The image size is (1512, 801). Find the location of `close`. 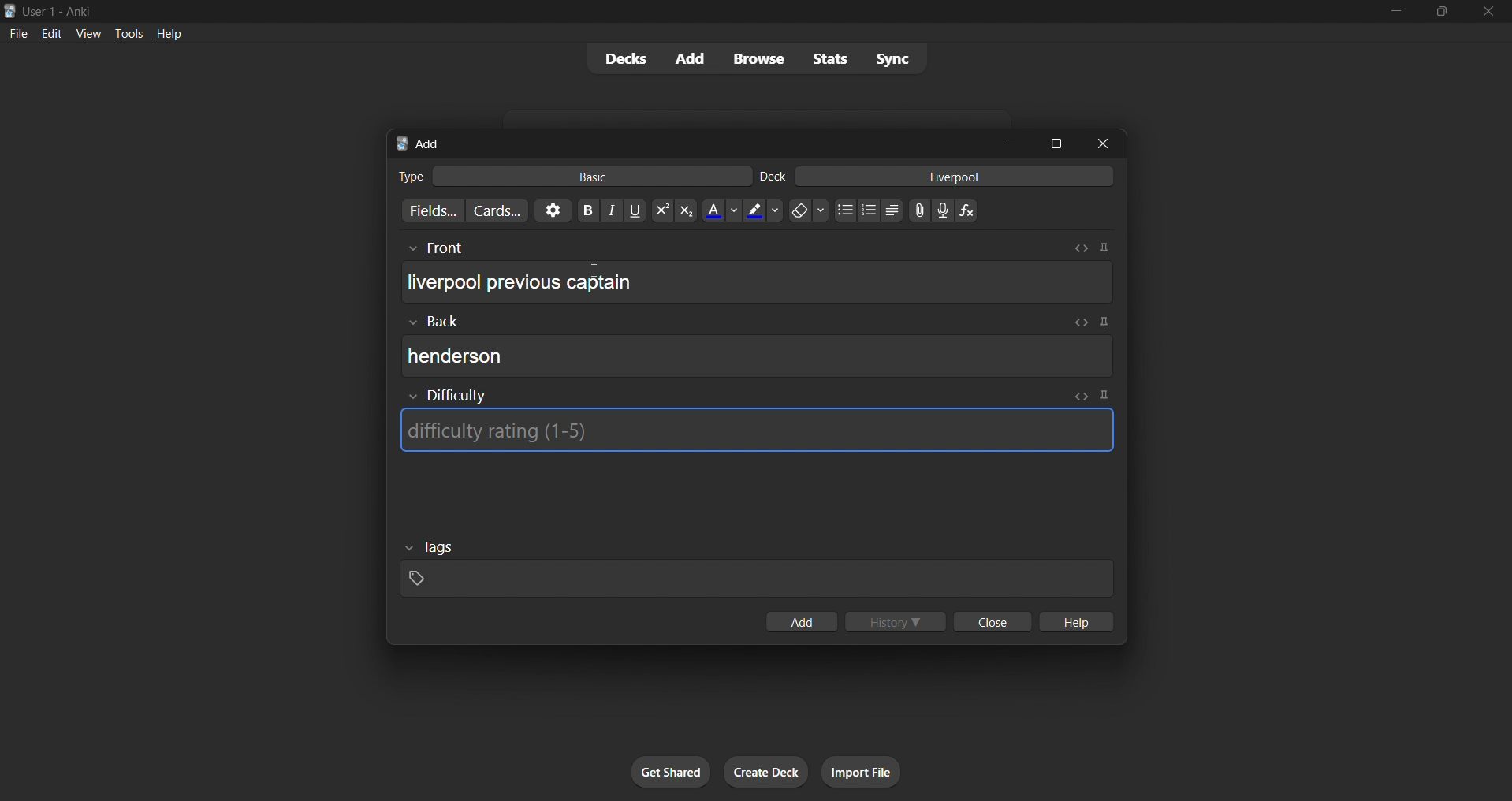

close is located at coordinates (1108, 143).